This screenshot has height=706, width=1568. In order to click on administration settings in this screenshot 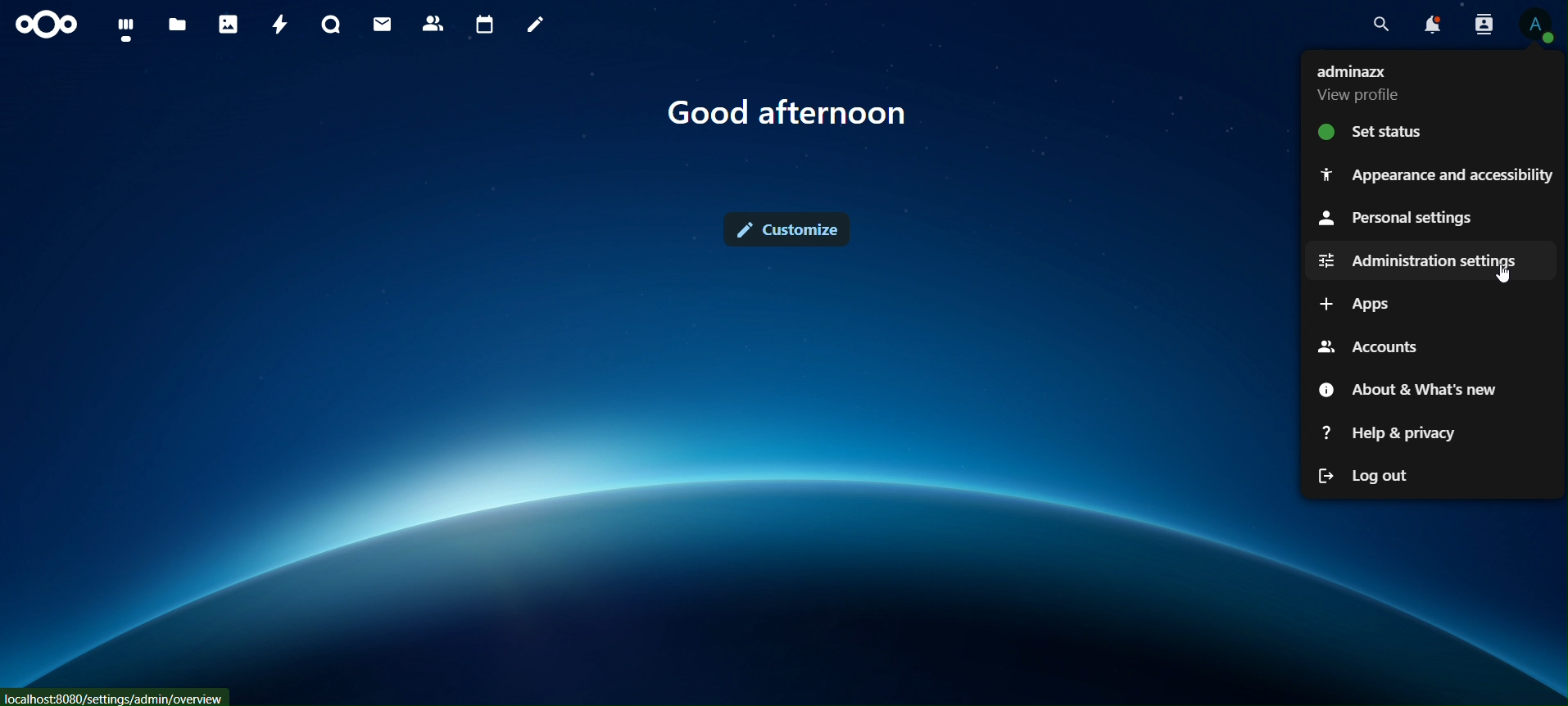, I will do `click(1413, 259)`.